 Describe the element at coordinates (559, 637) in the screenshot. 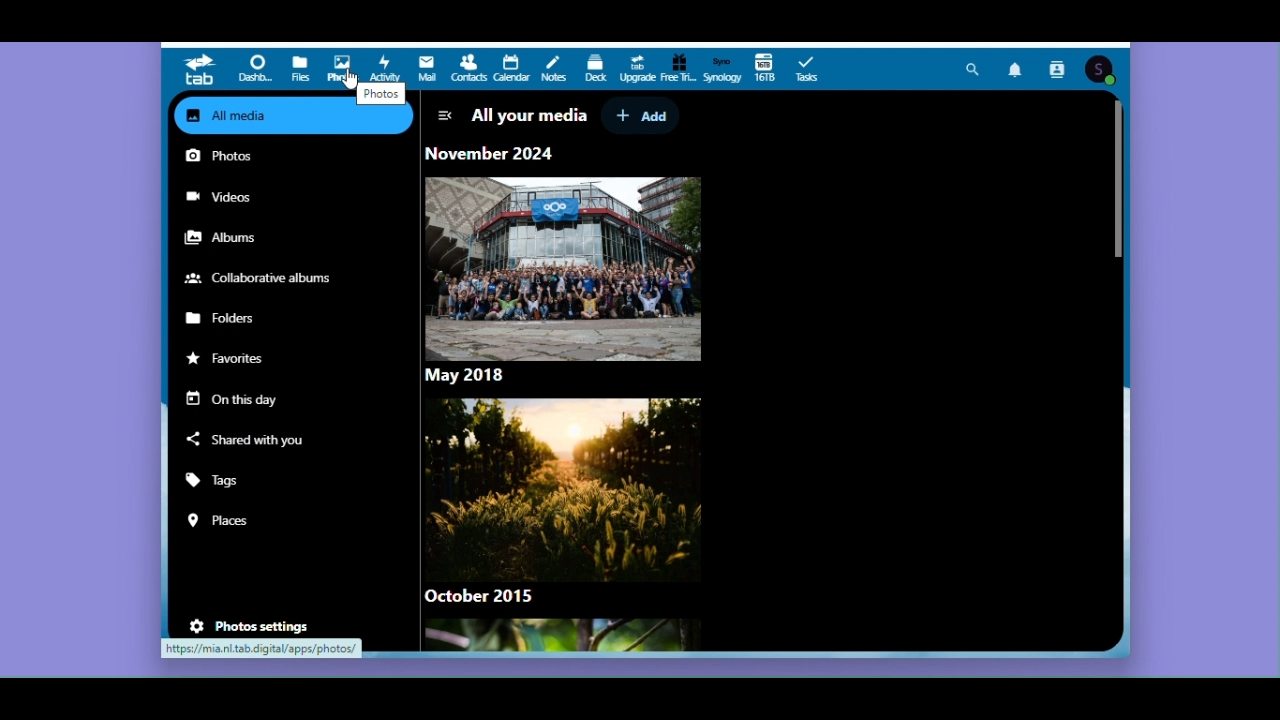

I see `Image` at that location.